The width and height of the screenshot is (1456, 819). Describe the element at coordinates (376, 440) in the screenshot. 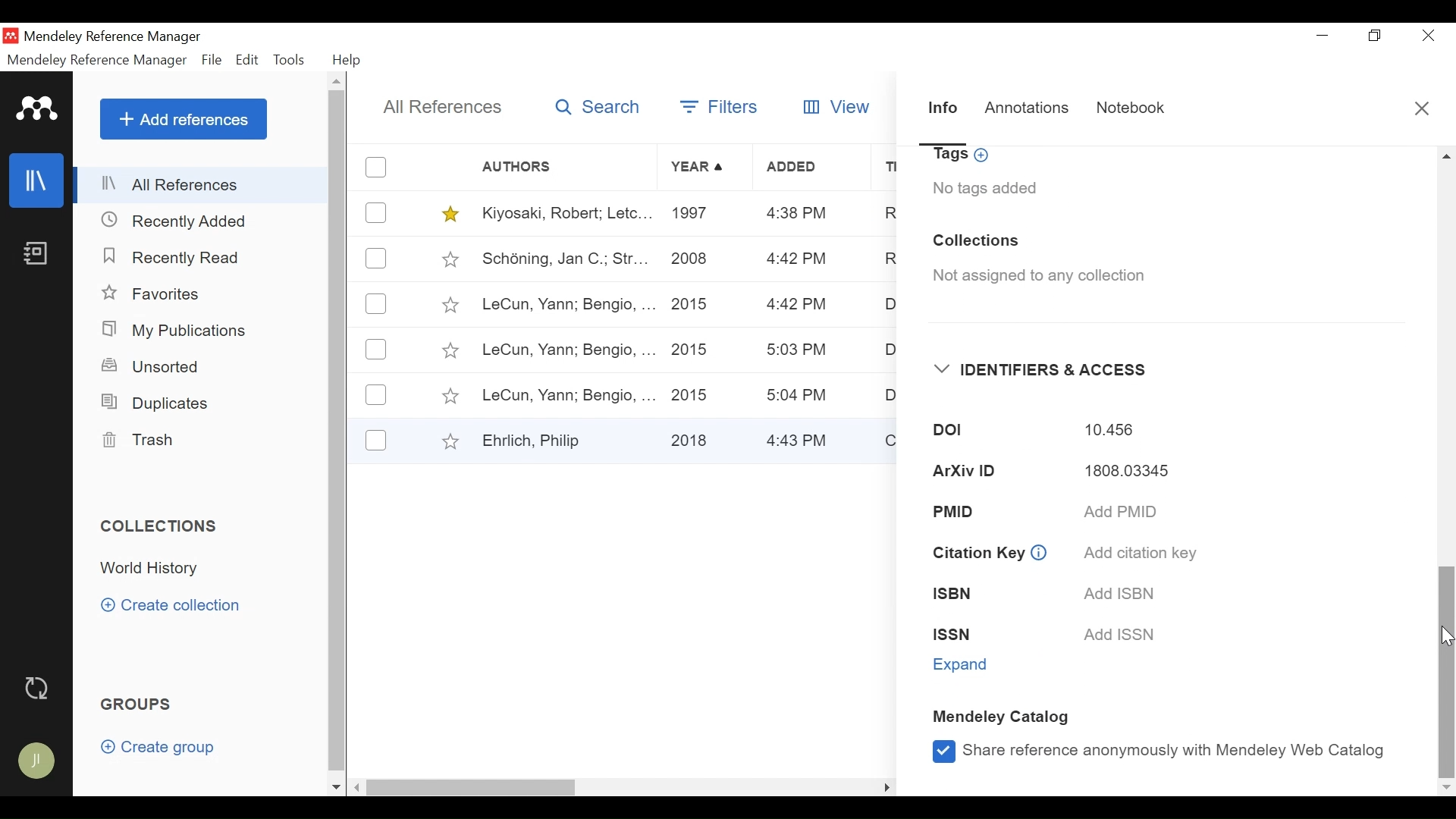

I see `(un)select` at that location.